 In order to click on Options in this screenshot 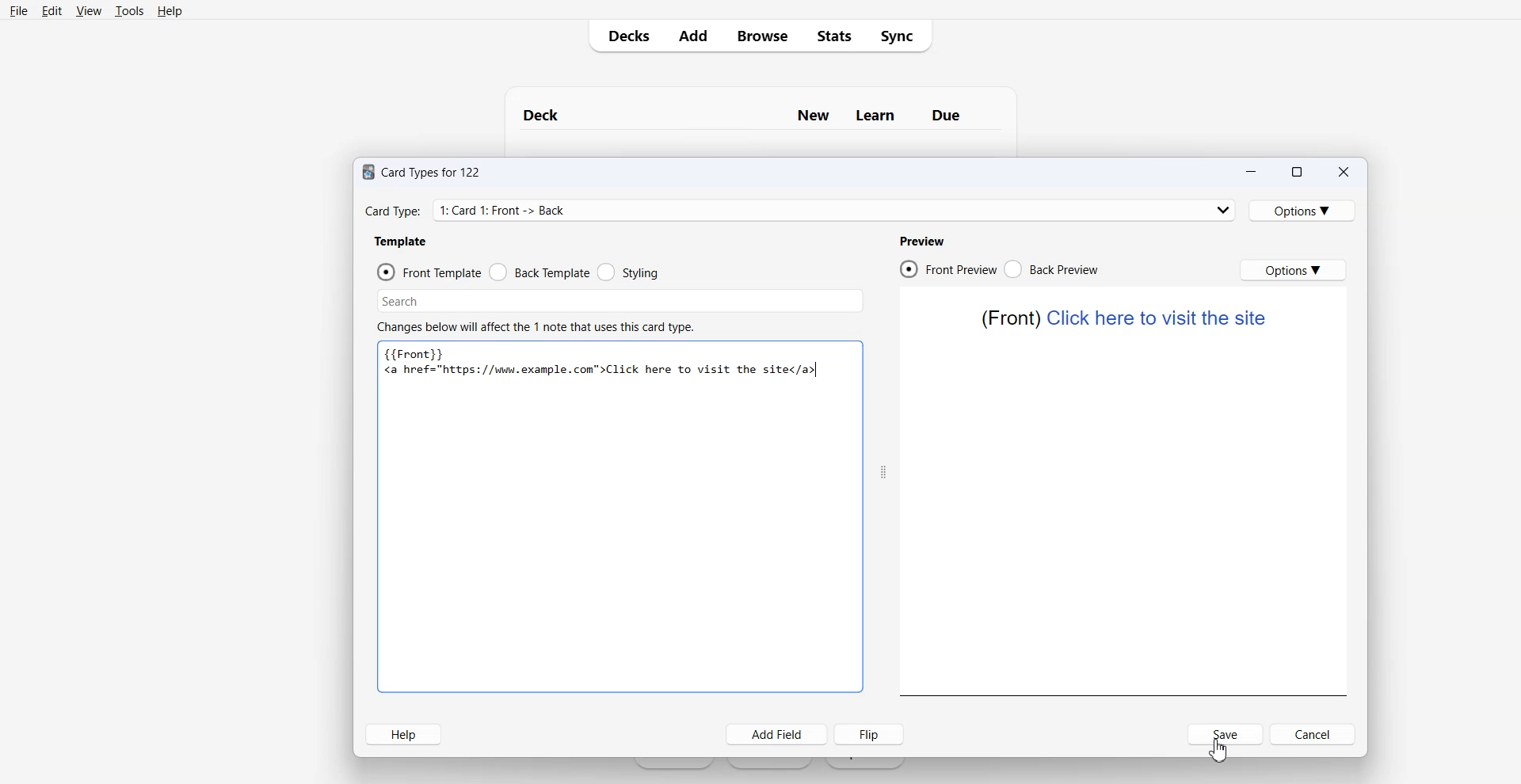, I will do `click(1294, 270)`.